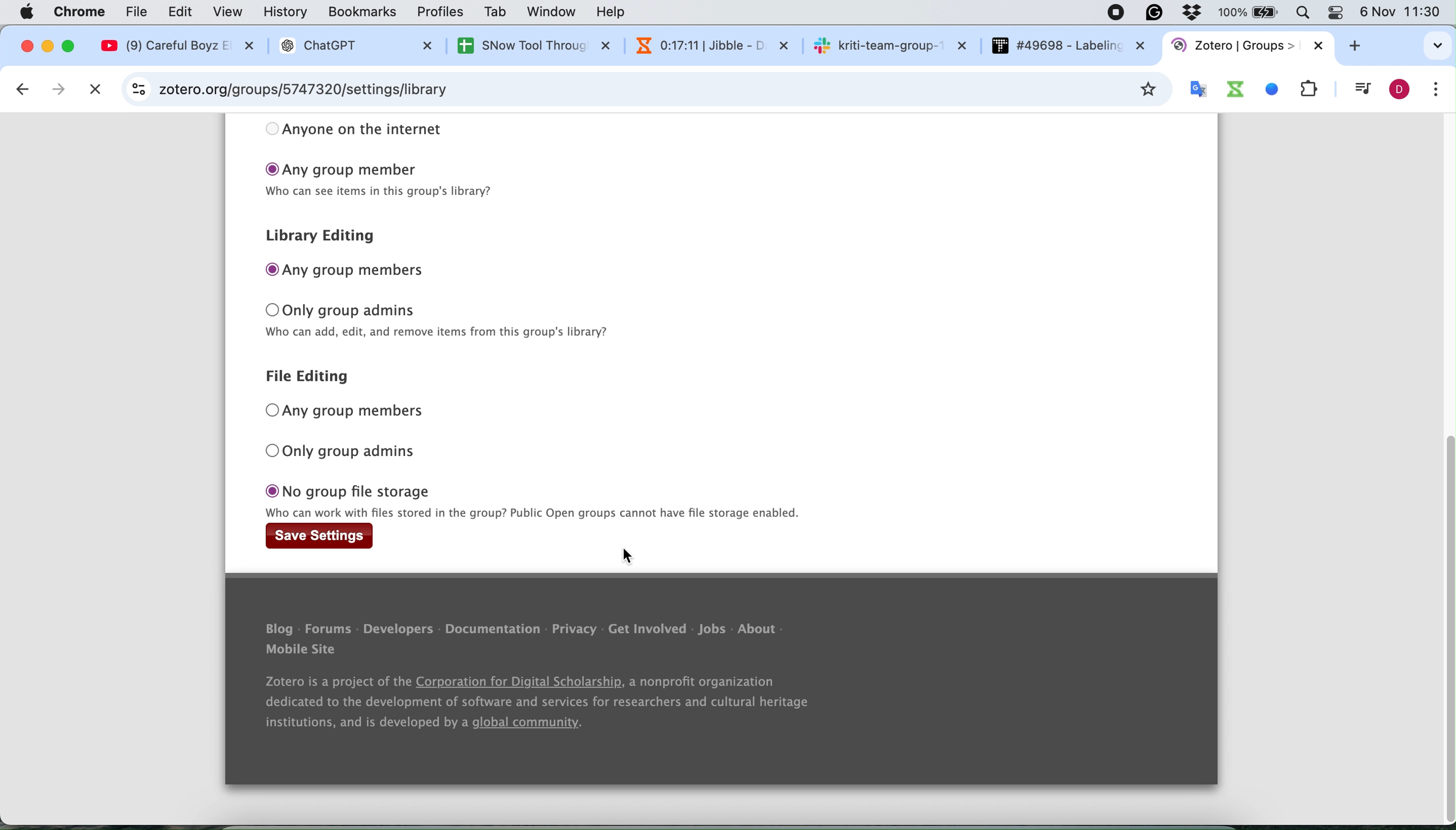 This screenshot has width=1456, height=830. Describe the element at coordinates (48, 47) in the screenshot. I see `minimise` at that location.